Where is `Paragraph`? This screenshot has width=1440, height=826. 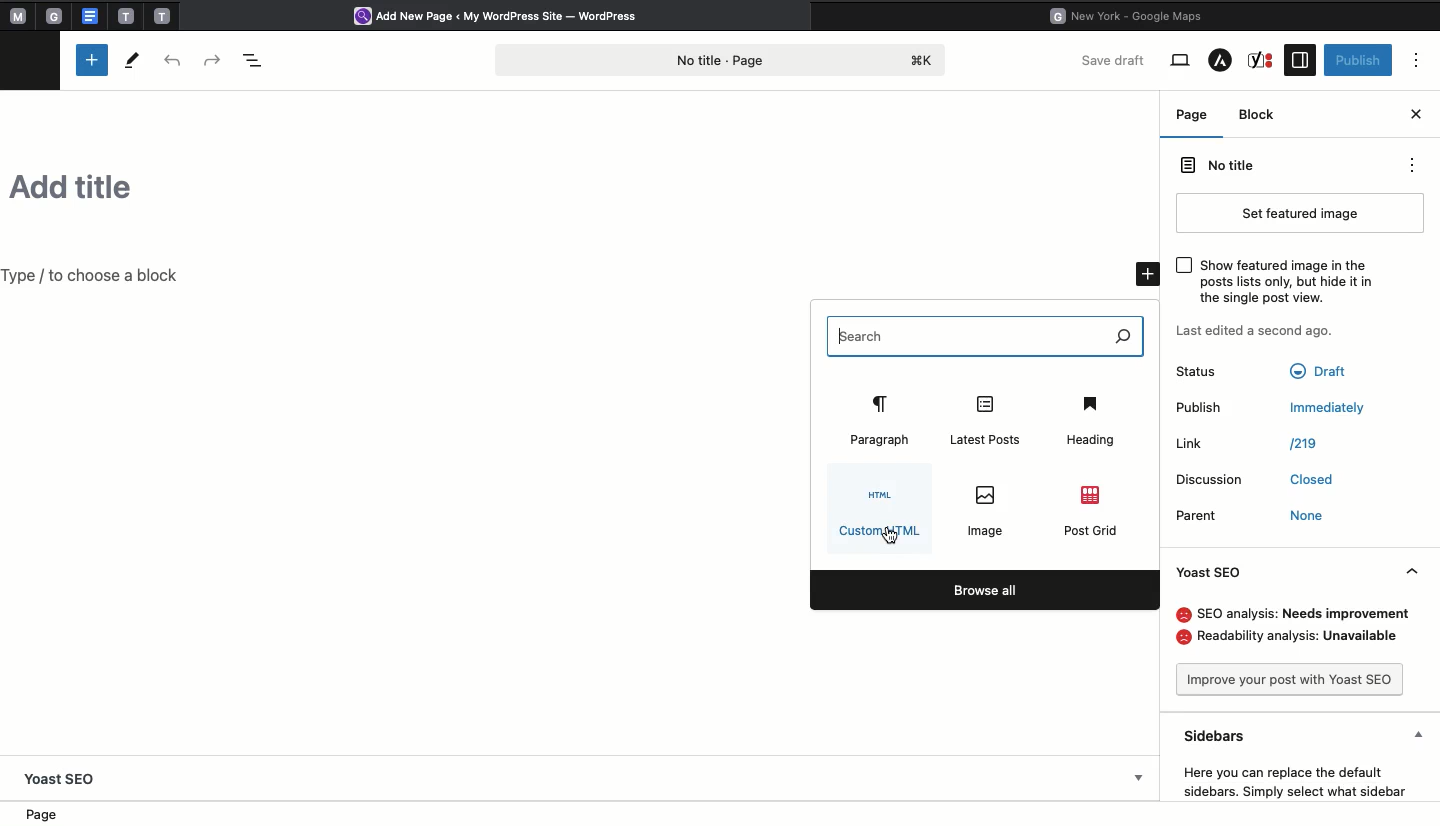
Paragraph is located at coordinates (883, 419).